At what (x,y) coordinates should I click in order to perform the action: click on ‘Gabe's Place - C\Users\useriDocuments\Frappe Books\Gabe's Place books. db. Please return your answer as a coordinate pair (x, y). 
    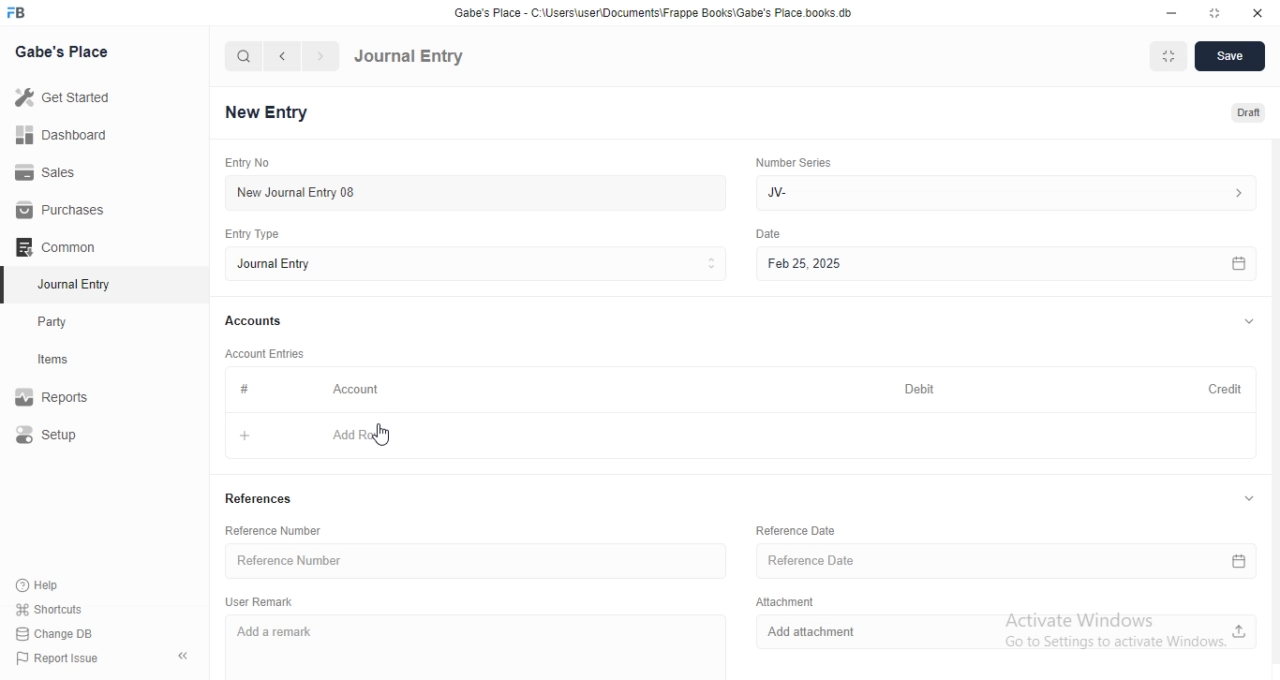
    Looking at the image, I should click on (650, 10).